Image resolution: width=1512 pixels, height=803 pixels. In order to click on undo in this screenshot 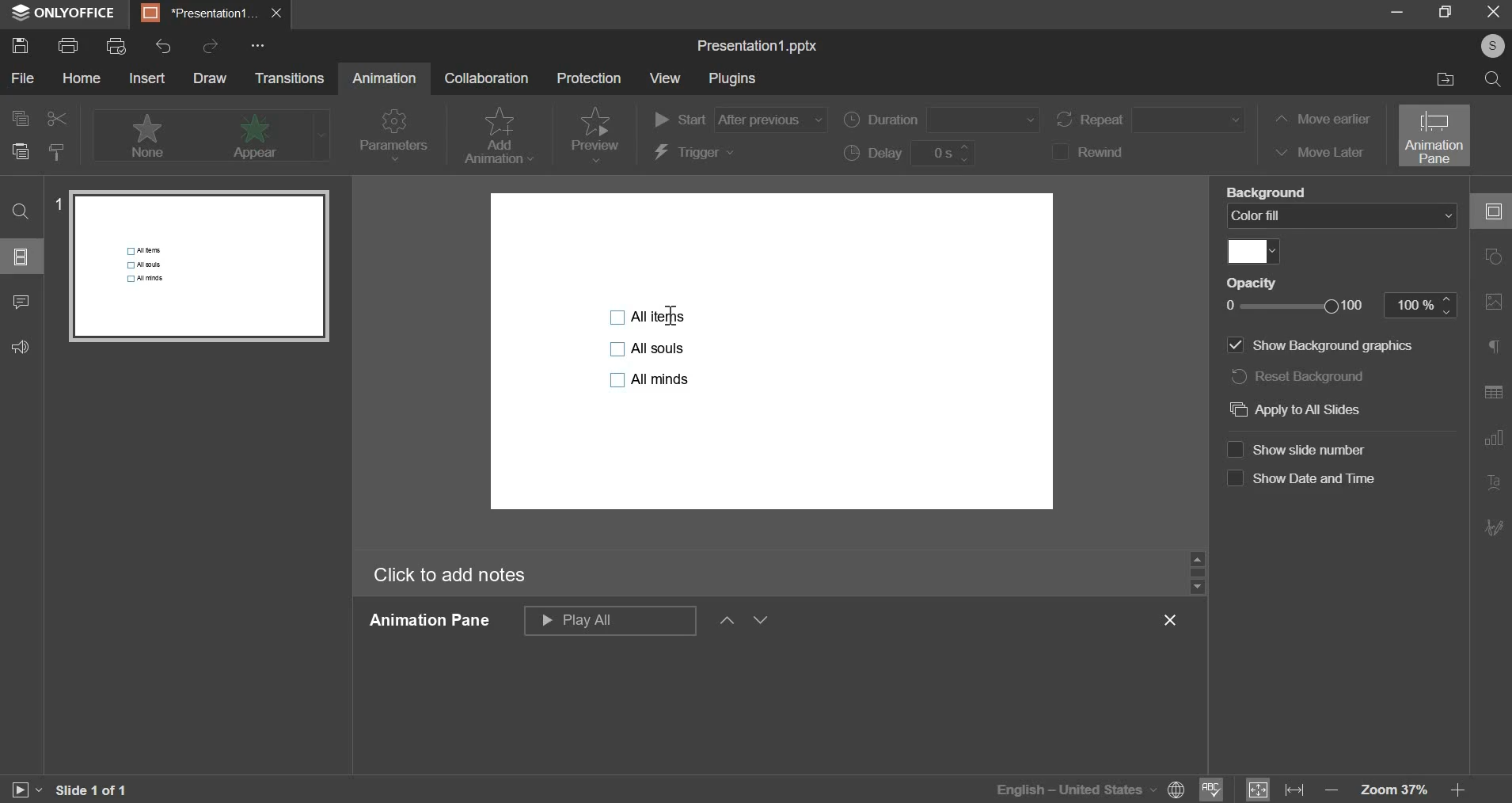, I will do `click(163, 47)`.